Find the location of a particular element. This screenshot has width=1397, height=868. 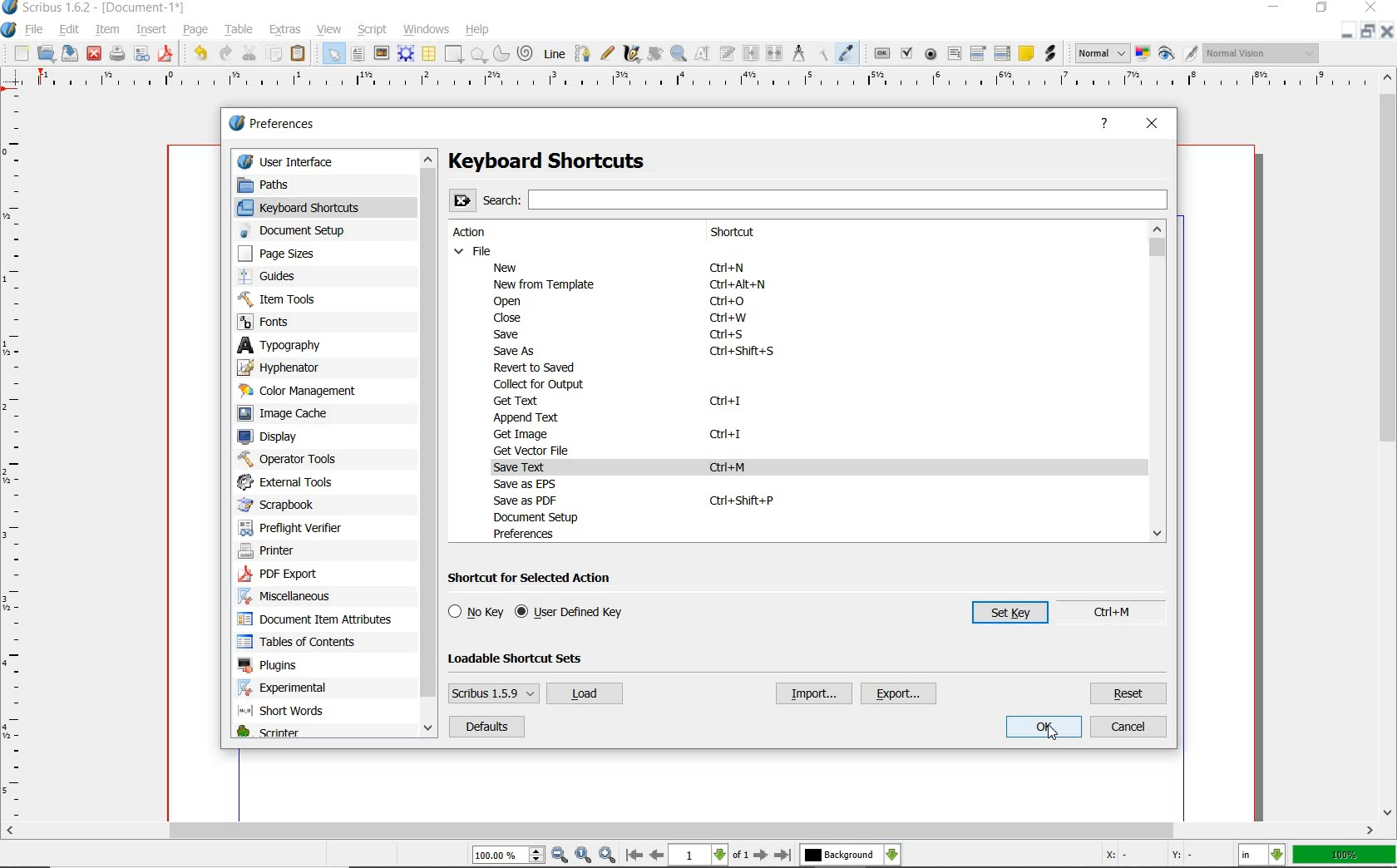

pdf combo box is located at coordinates (978, 54).